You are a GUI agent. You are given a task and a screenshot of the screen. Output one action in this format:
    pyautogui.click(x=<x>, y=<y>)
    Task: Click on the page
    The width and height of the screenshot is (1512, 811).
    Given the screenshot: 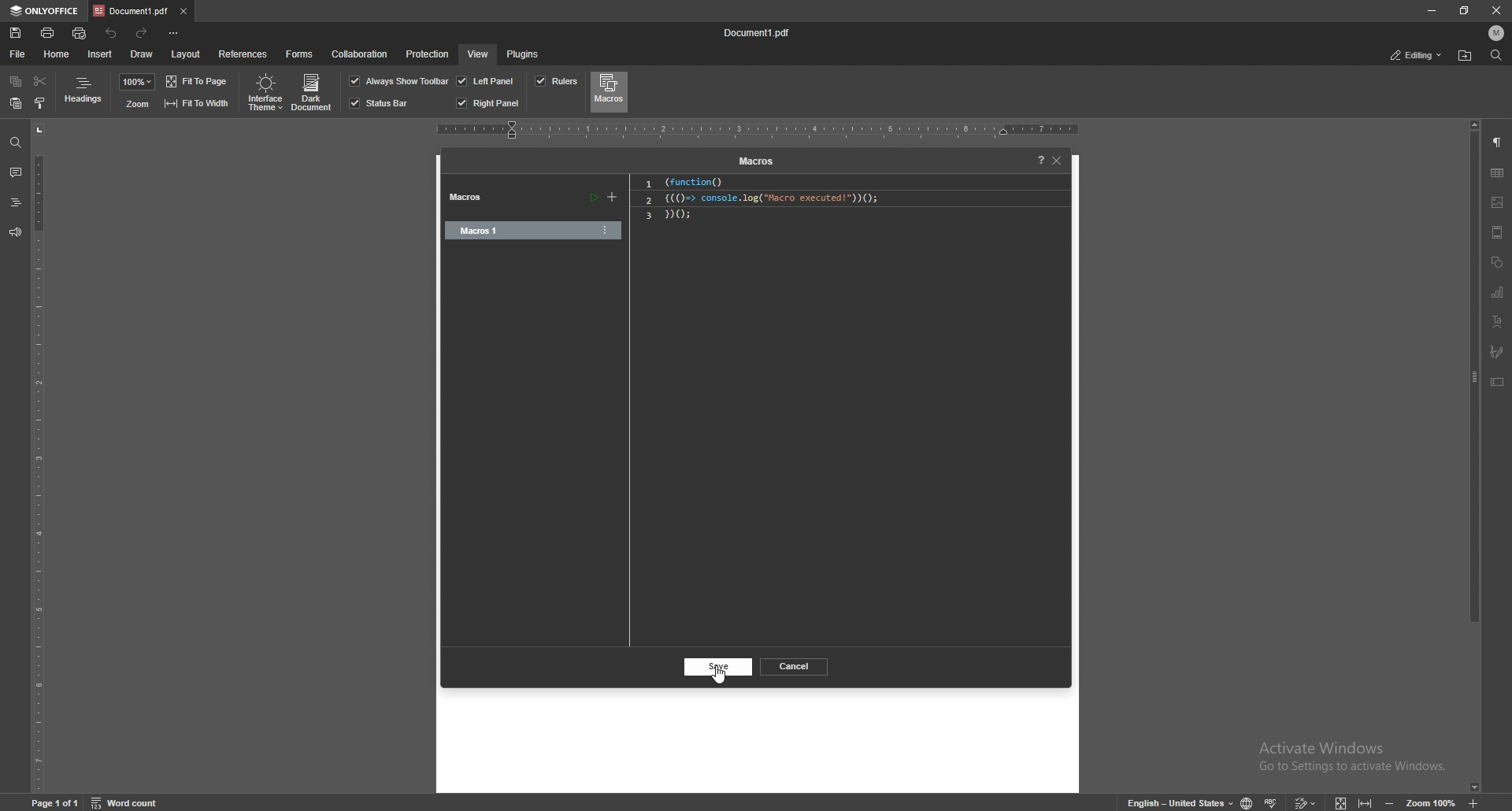 What is the action you would take?
    pyautogui.click(x=57, y=802)
    